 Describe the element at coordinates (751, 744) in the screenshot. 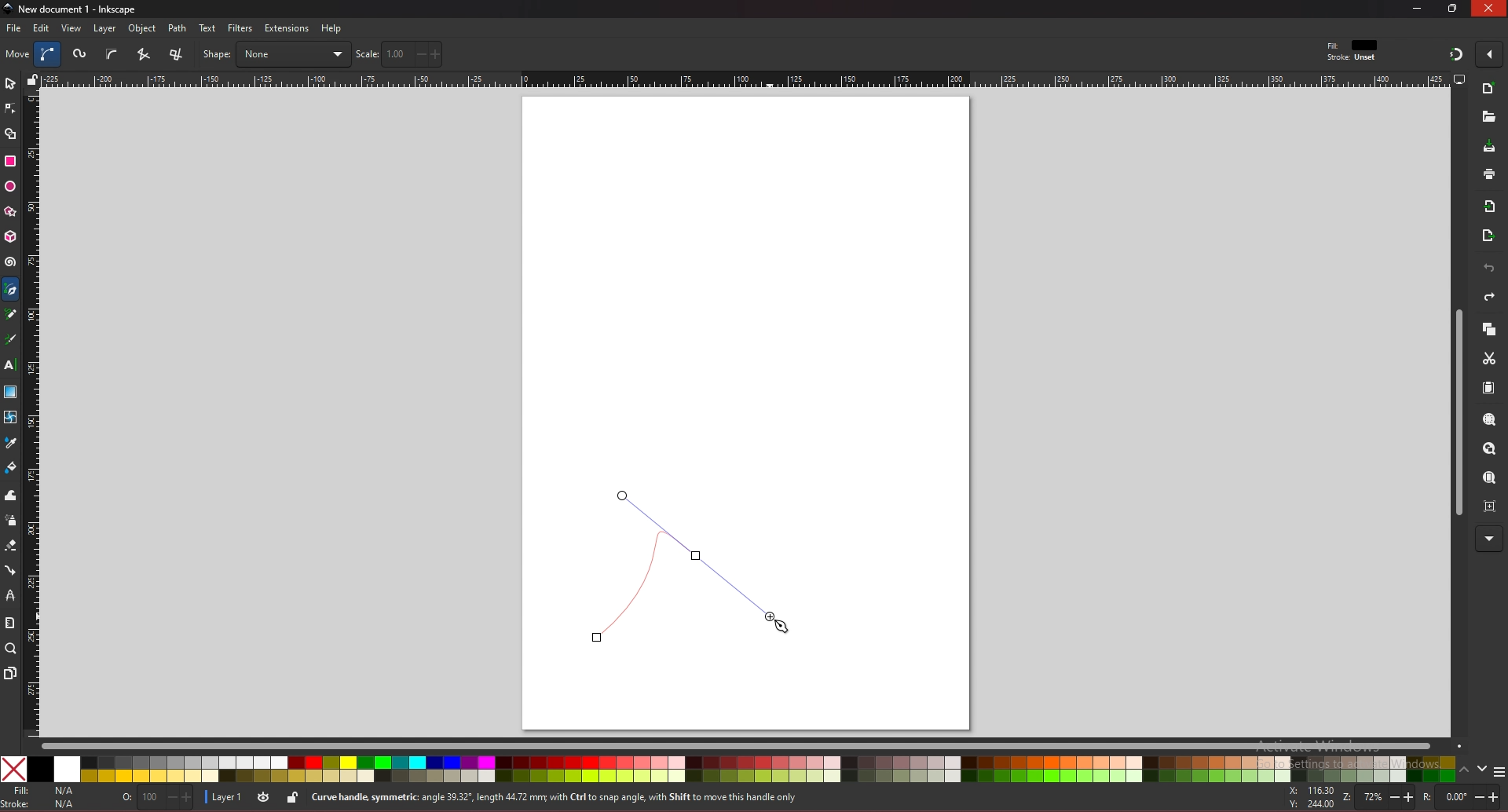

I see `scroll bar` at that location.